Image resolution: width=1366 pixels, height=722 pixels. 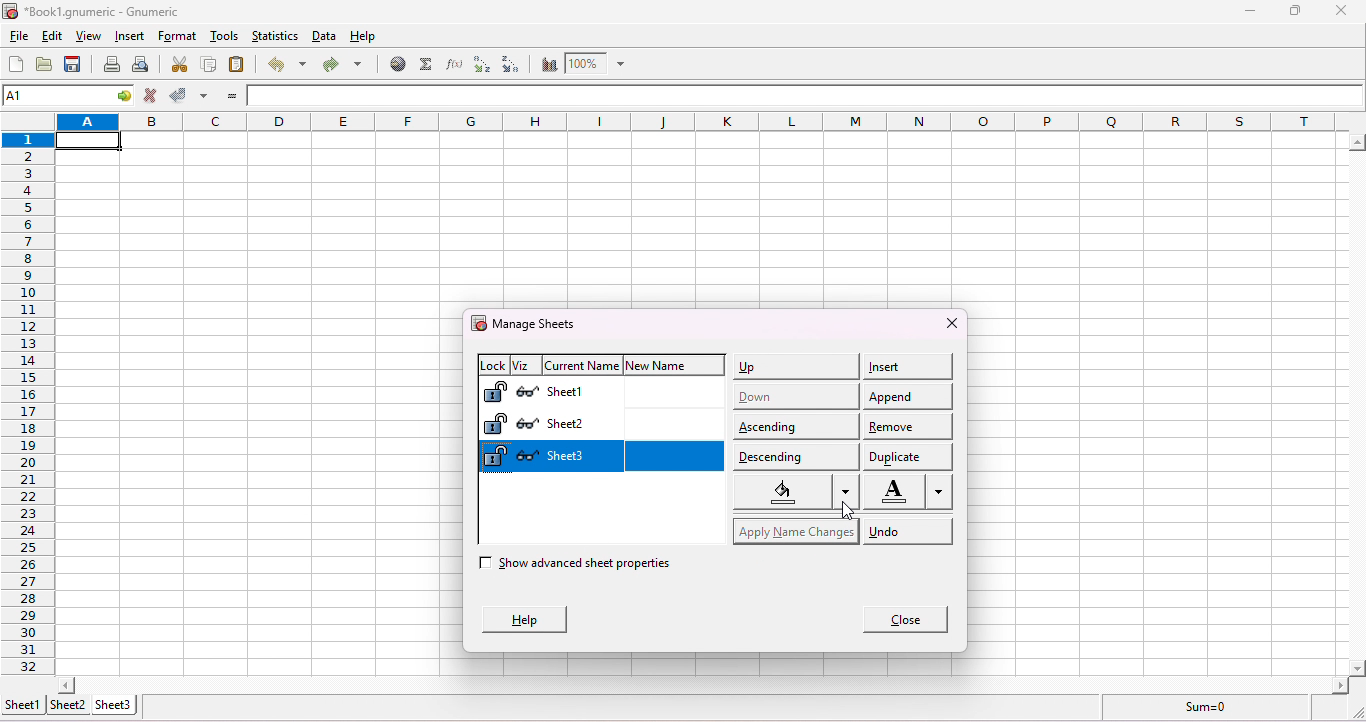 What do you see at coordinates (795, 368) in the screenshot?
I see `up` at bounding box center [795, 368].